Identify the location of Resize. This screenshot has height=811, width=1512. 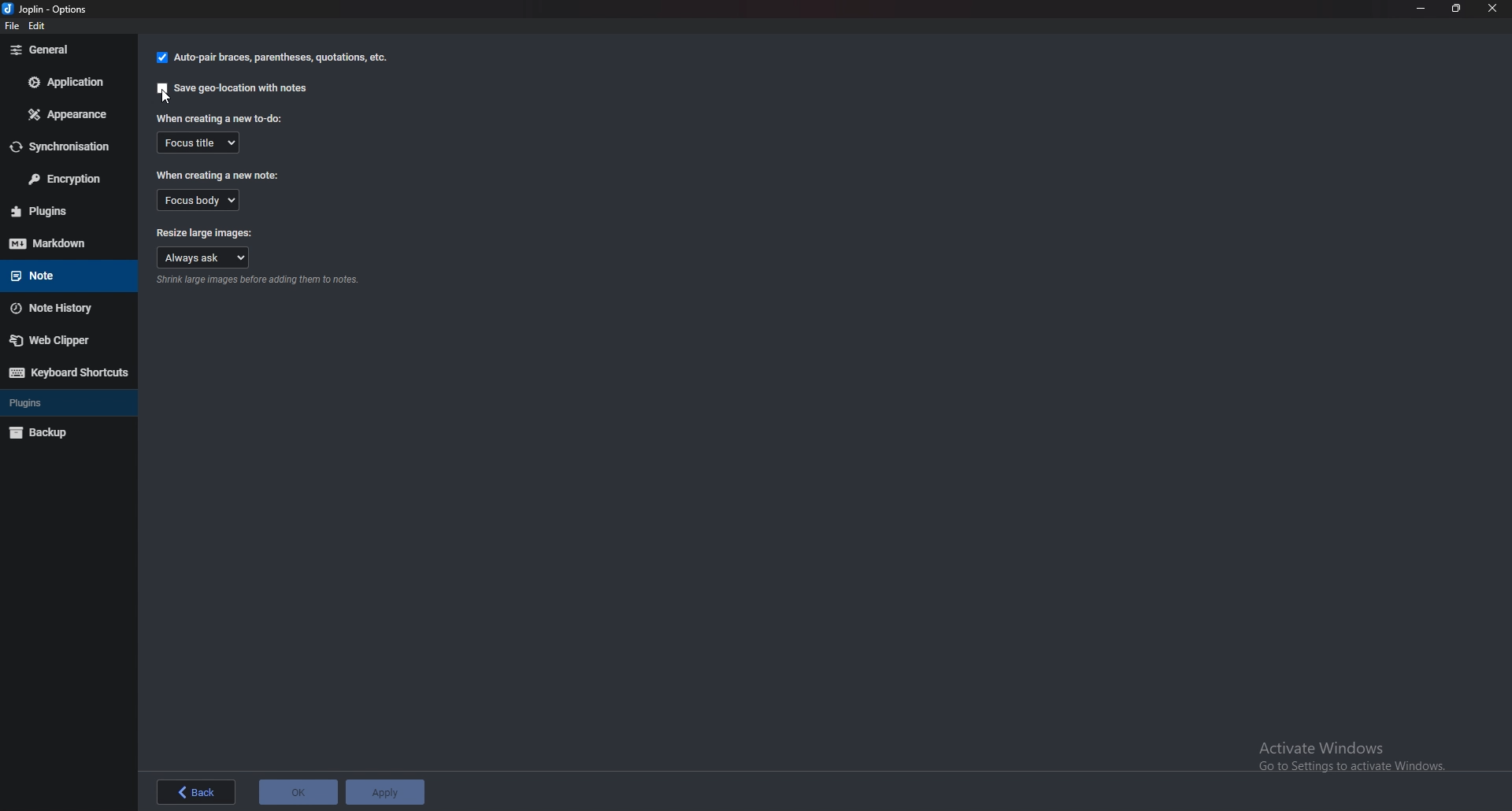
(1457, 9).